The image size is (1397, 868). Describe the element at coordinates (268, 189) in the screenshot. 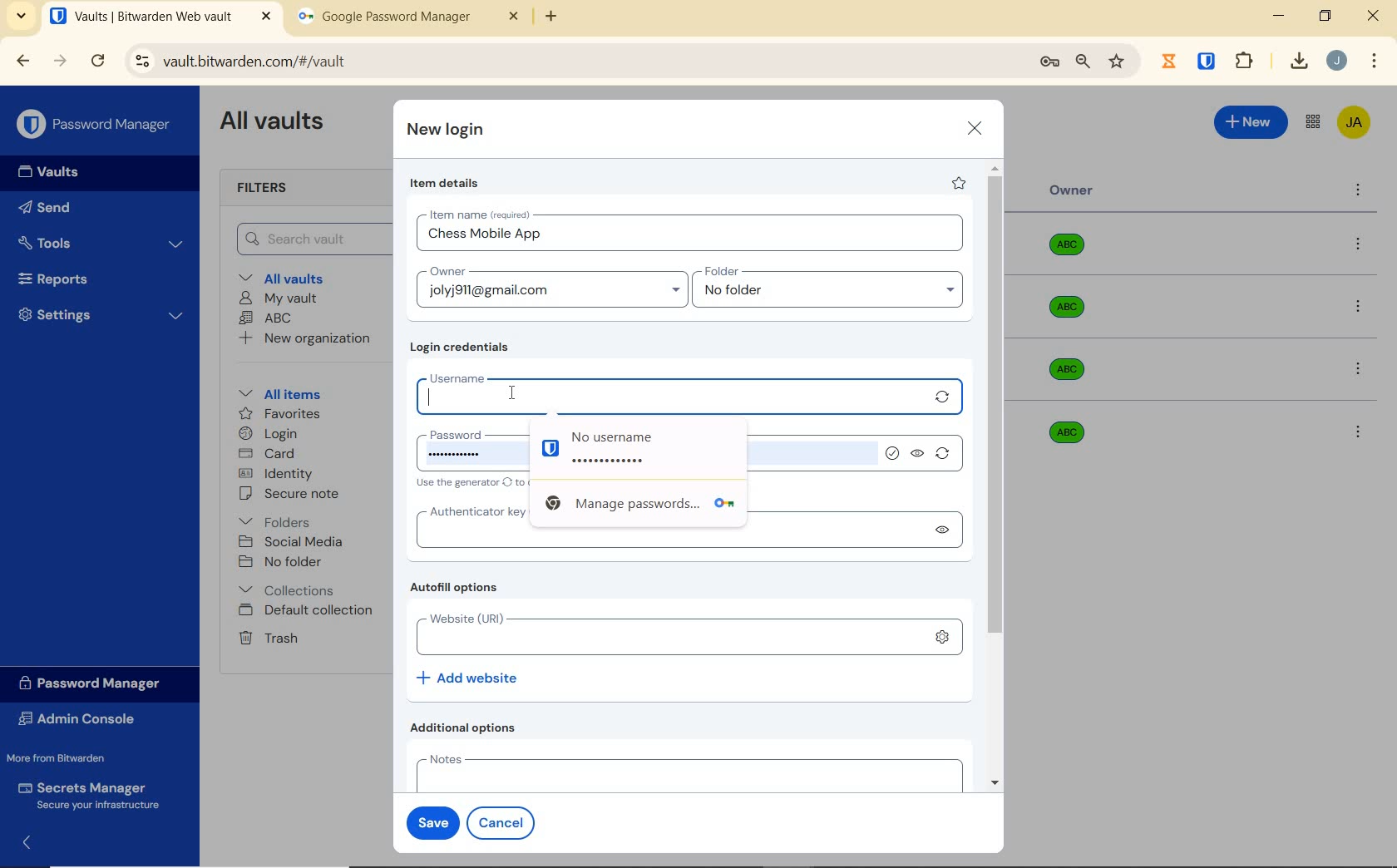

I see `Filters` at that location.